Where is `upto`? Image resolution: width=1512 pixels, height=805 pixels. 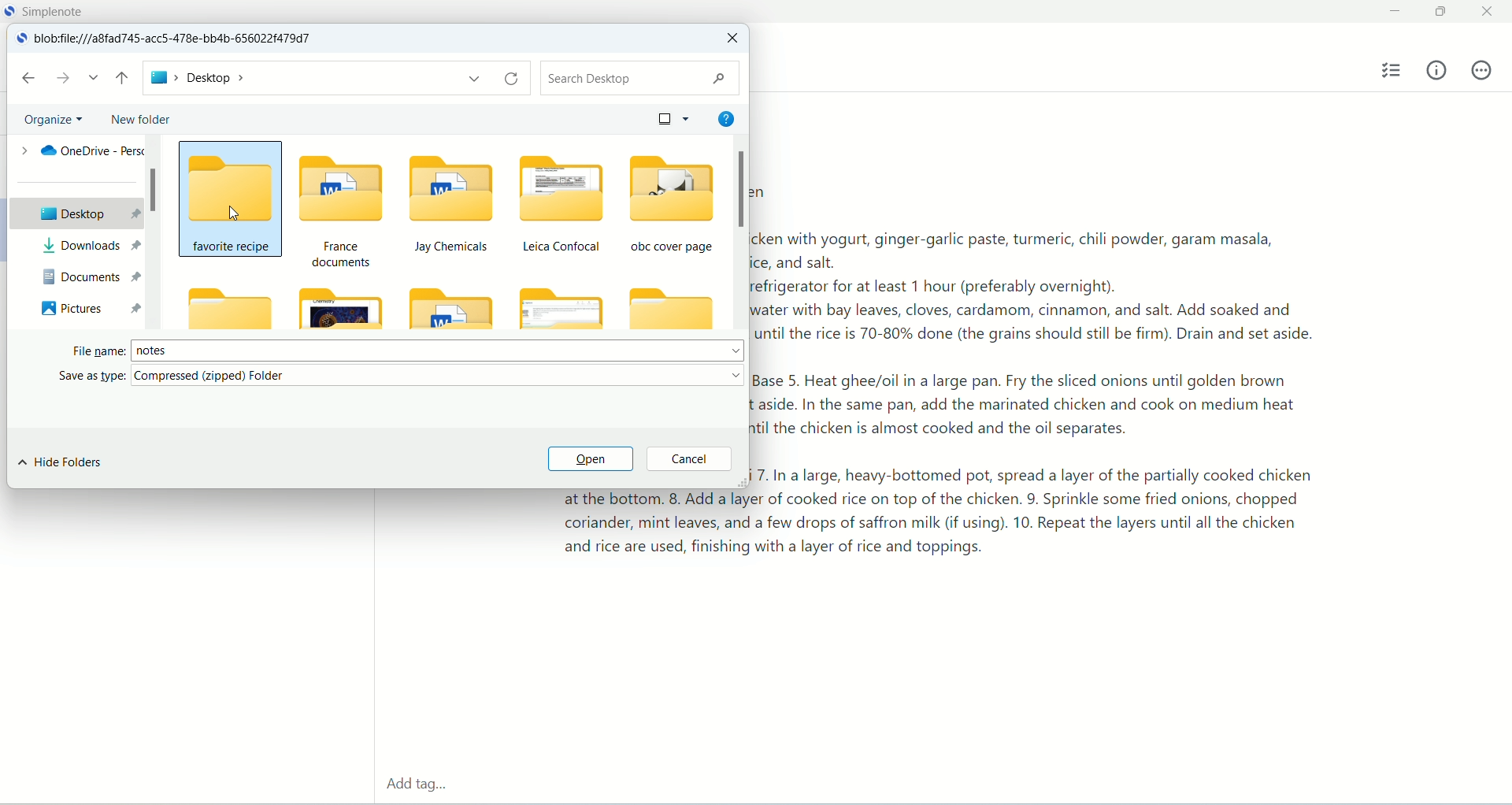 upto is located at coordinates (124, 80).